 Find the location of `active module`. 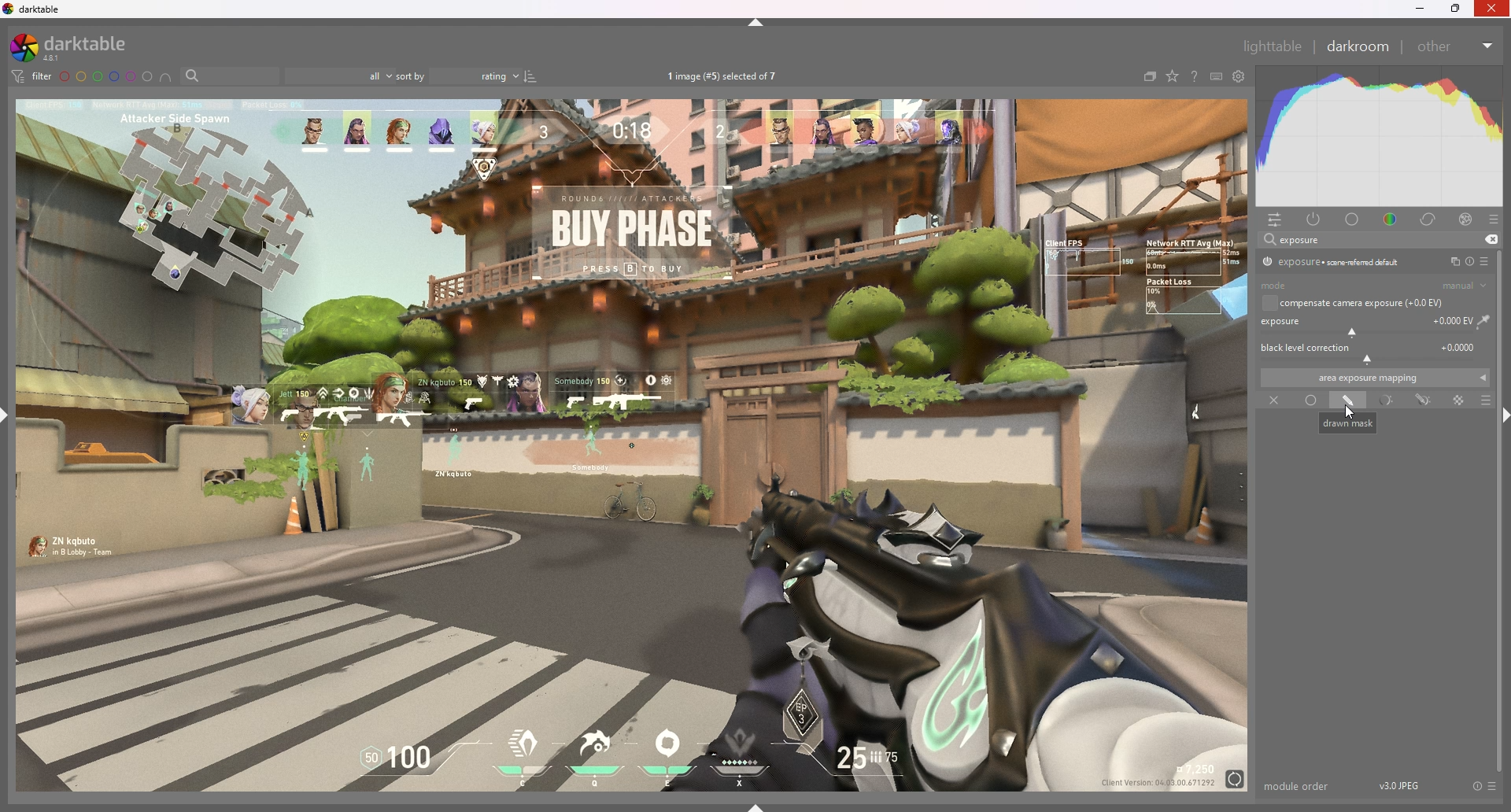

active module is located at coordinates (1316, 220).